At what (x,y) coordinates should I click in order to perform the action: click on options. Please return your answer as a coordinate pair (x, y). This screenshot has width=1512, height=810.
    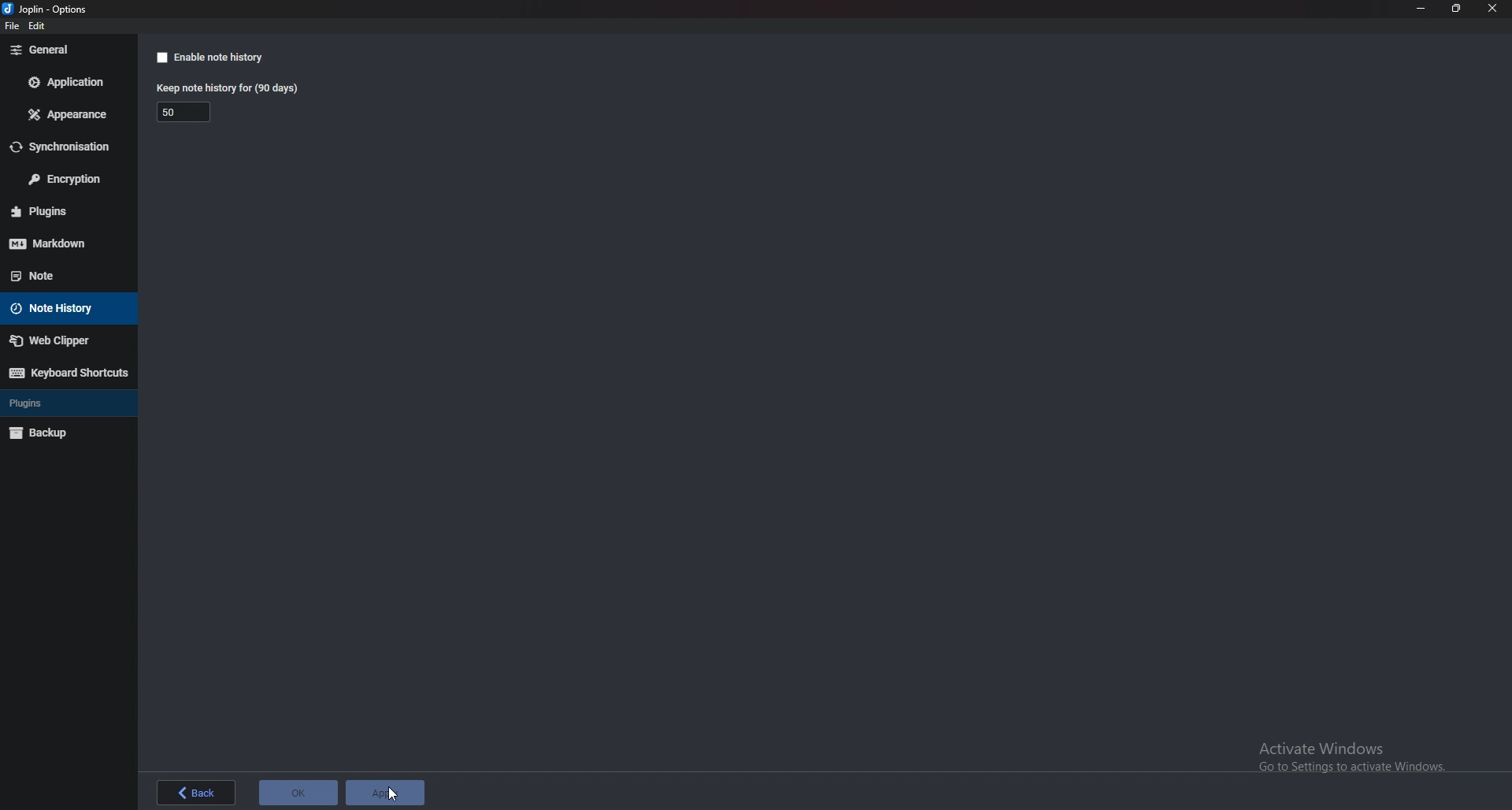
    Looking at the image, I should click on (48, 9).